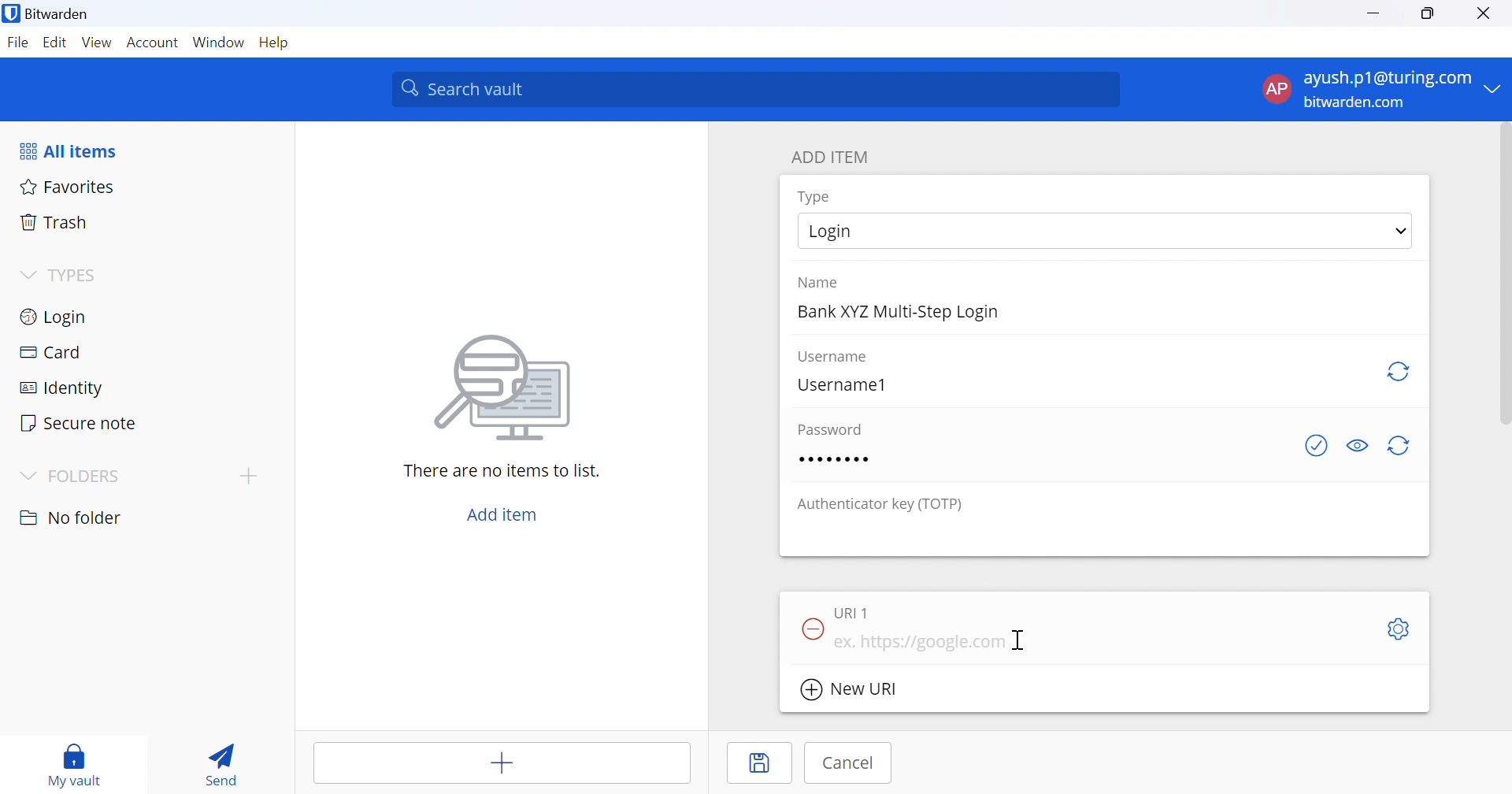 This screenshot has width=1512, height=794. Describe the element at coordinates (834, 357) in the screenshot. I see `Username` at that location.